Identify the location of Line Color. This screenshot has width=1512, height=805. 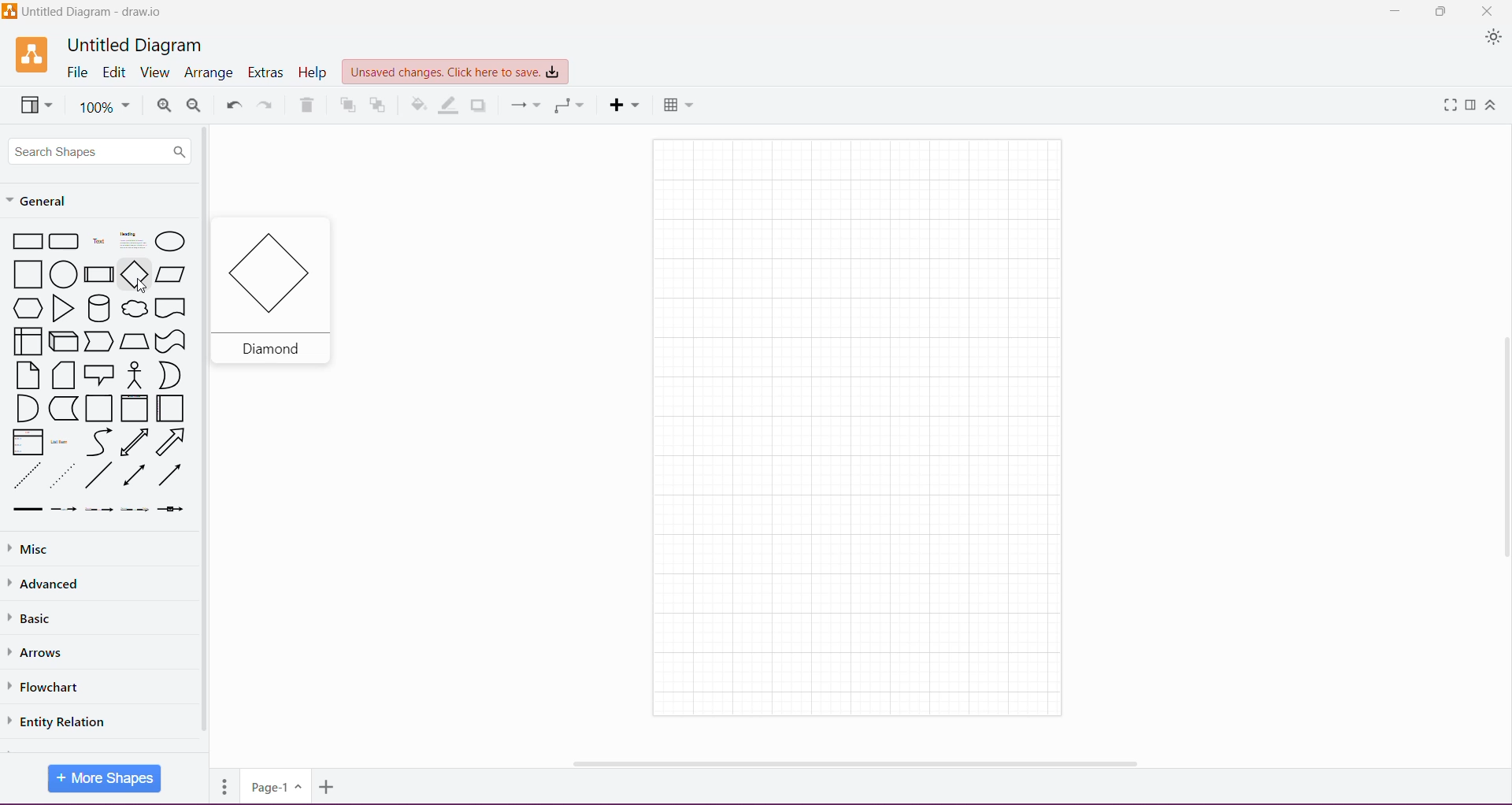
(447, 104).